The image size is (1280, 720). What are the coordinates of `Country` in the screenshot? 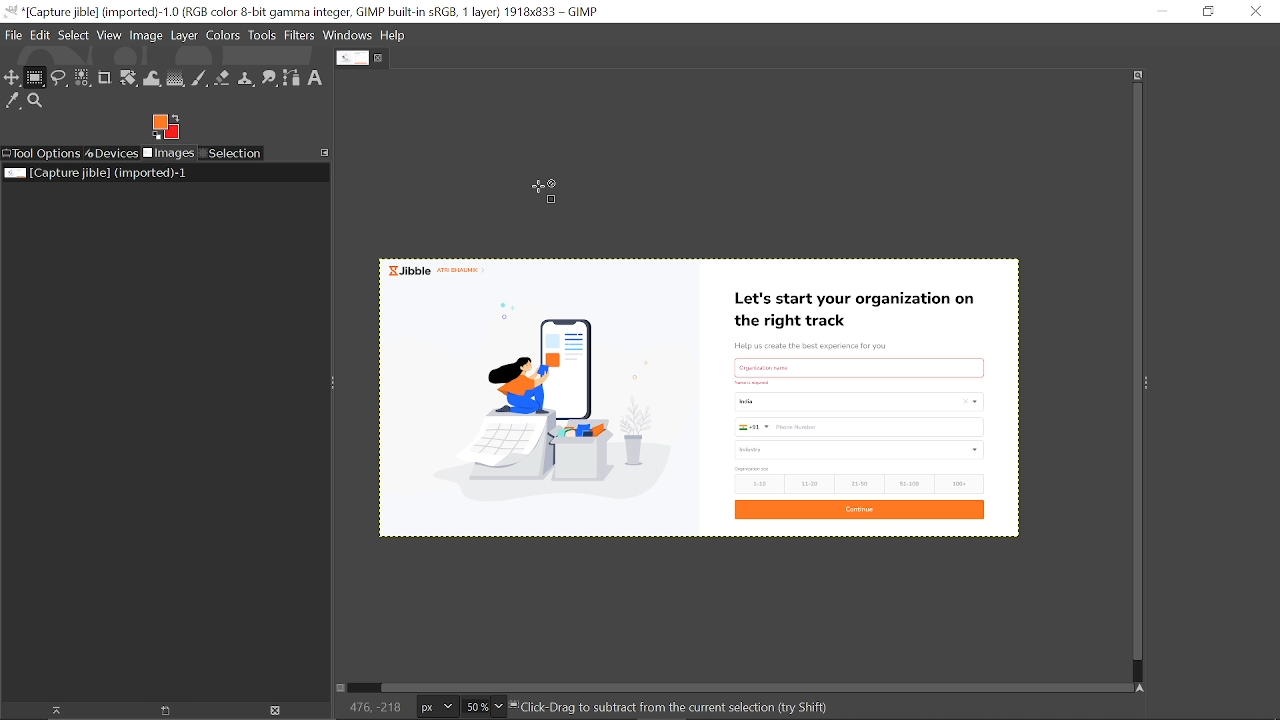 It's located at (857, 404).